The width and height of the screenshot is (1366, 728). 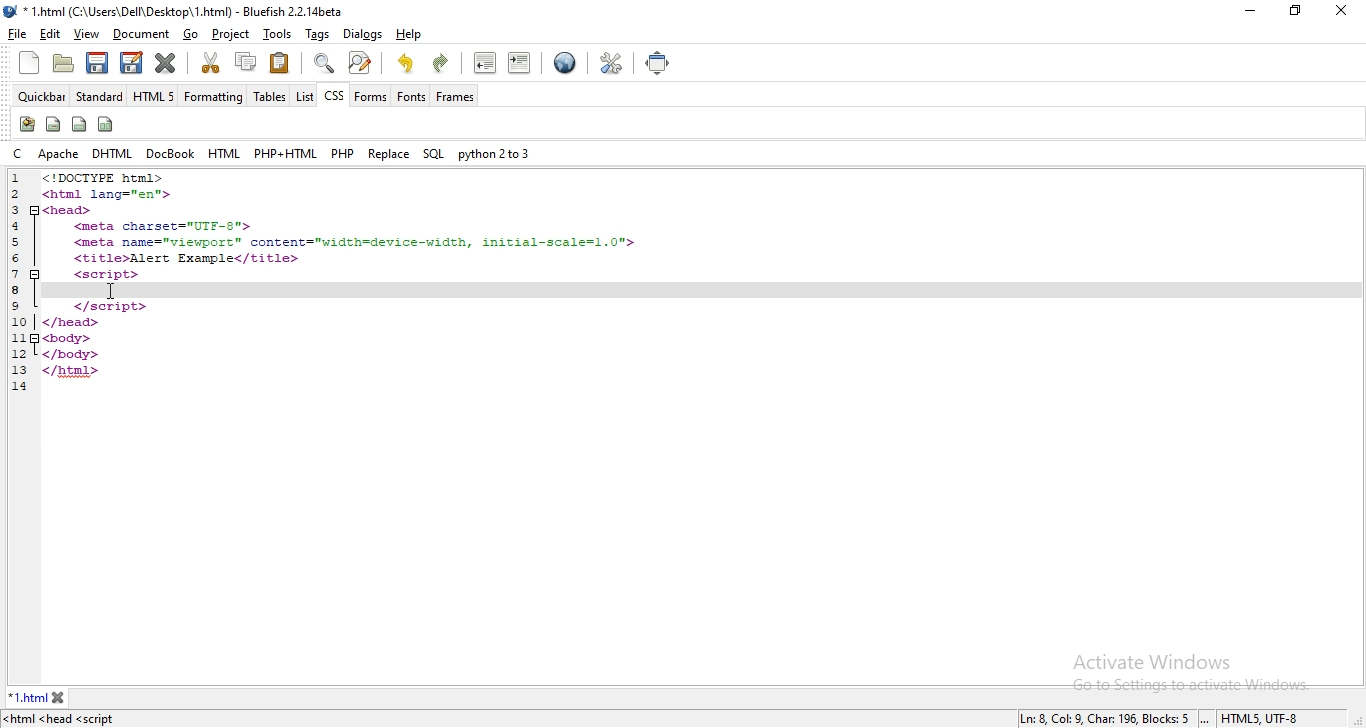 I want to click on minimize, so click(x=1249, y=11).